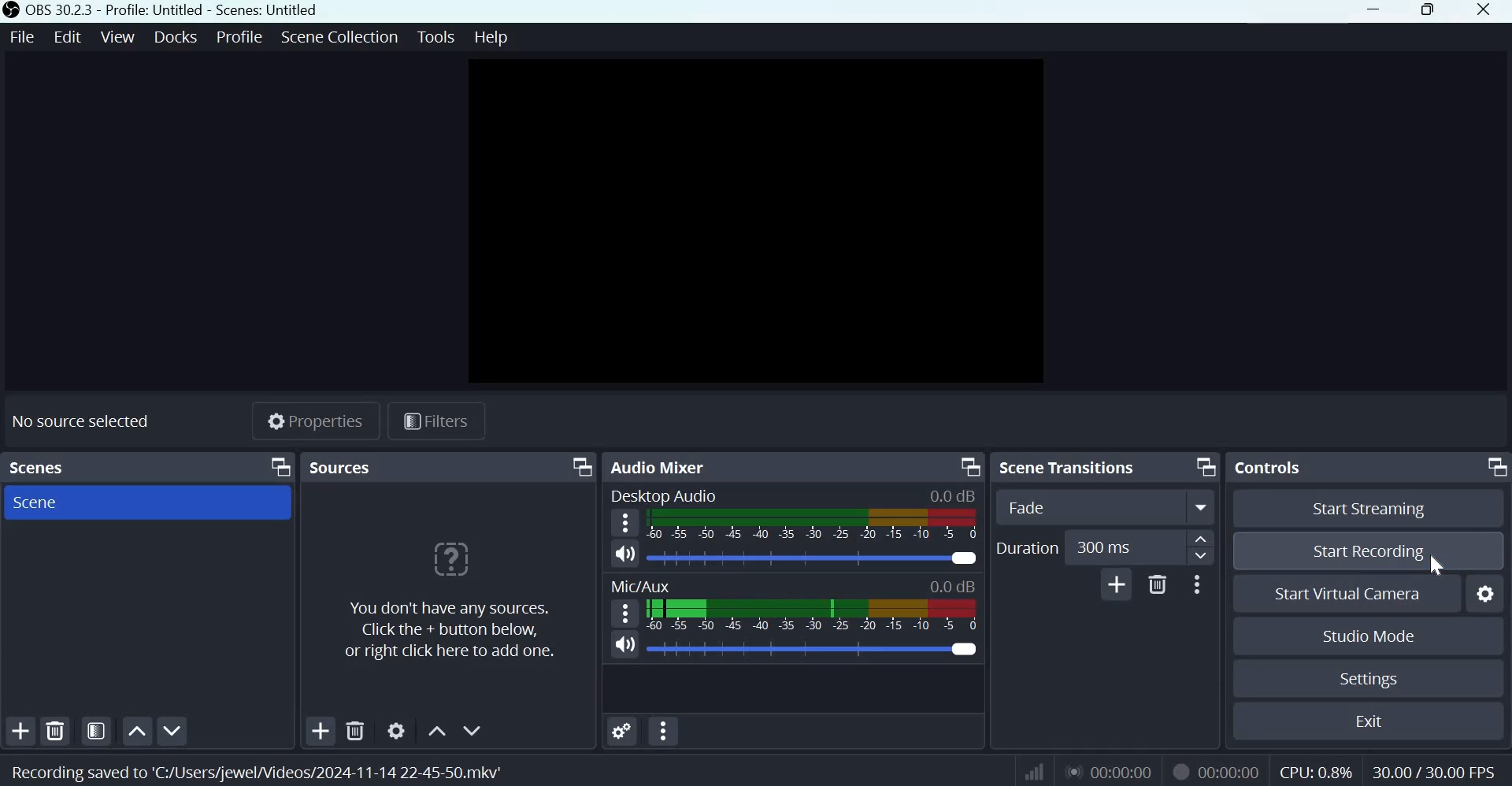  I want to click on More options, so click(1199, 586).